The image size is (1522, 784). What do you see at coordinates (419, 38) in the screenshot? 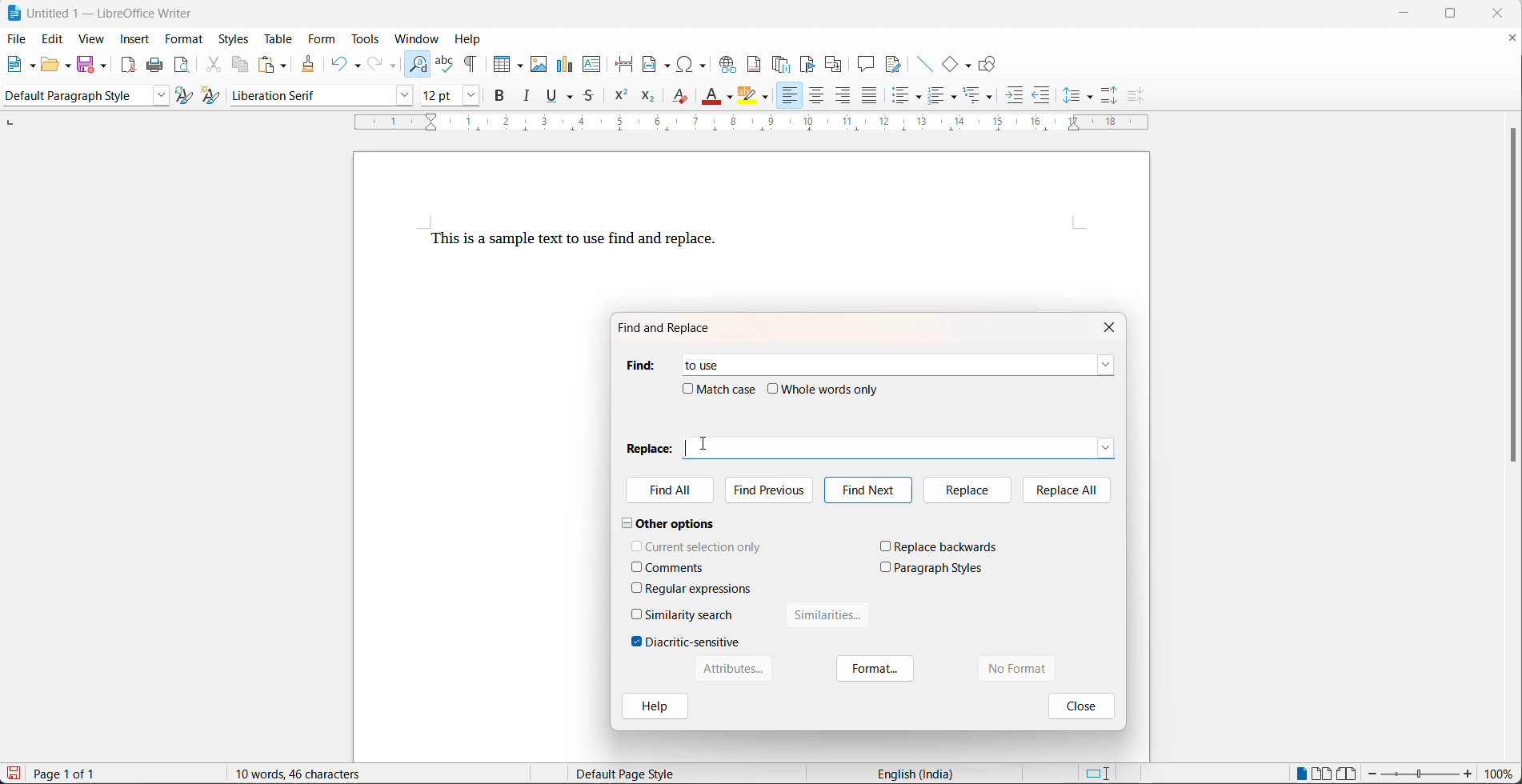
I see `window` at bounding box center [419, 38].